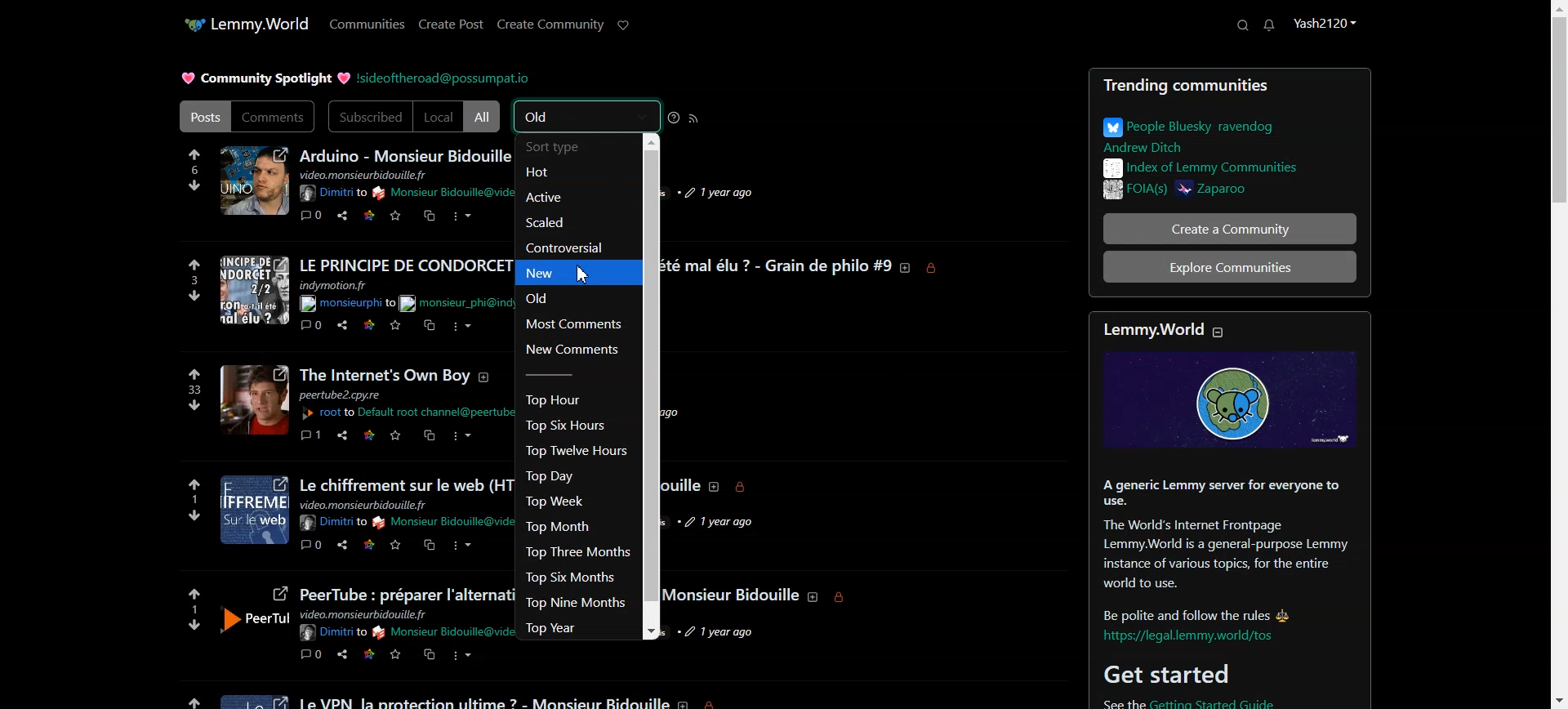  Describe the element at coordinates (192, 593) in the screenshot. I see `upvote` at that location.